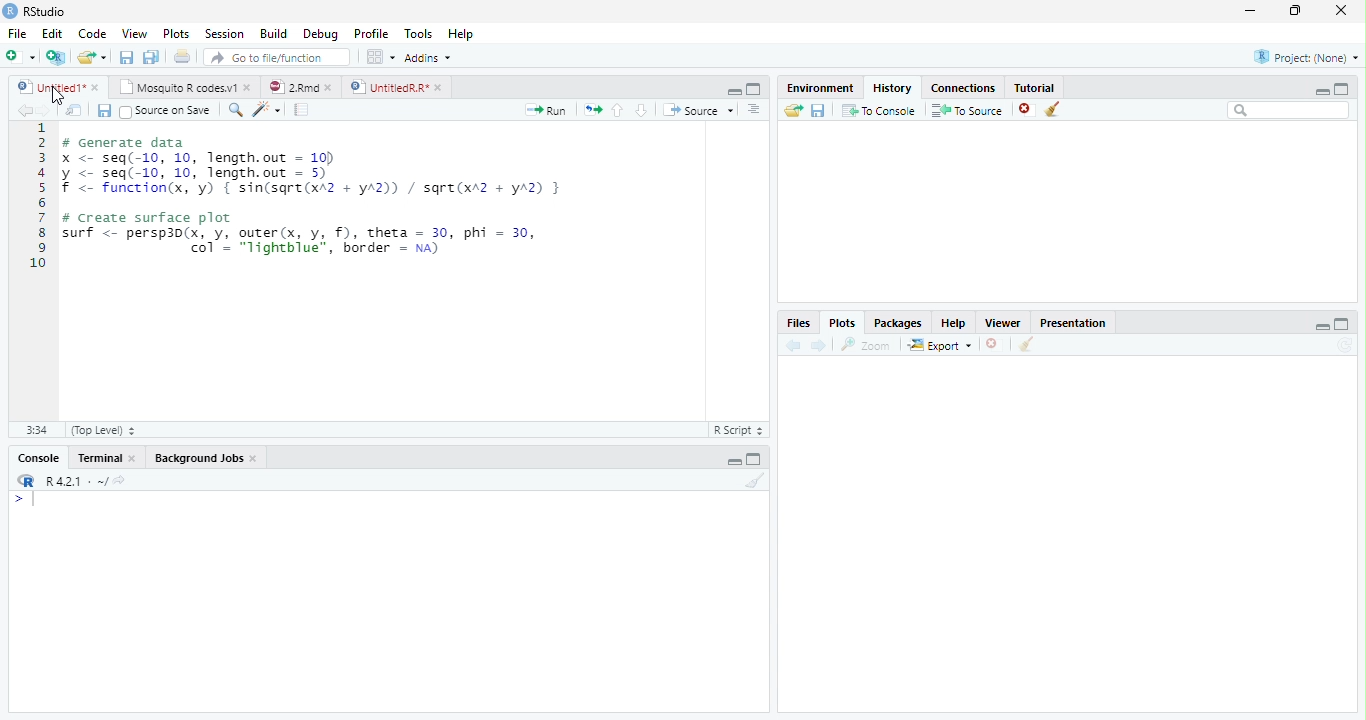 This screenshot has width=1366, height=720. What do you see at coordinates (99, 458) in the screenshot?
I see `Terminal` at bounding box center [99, 458].